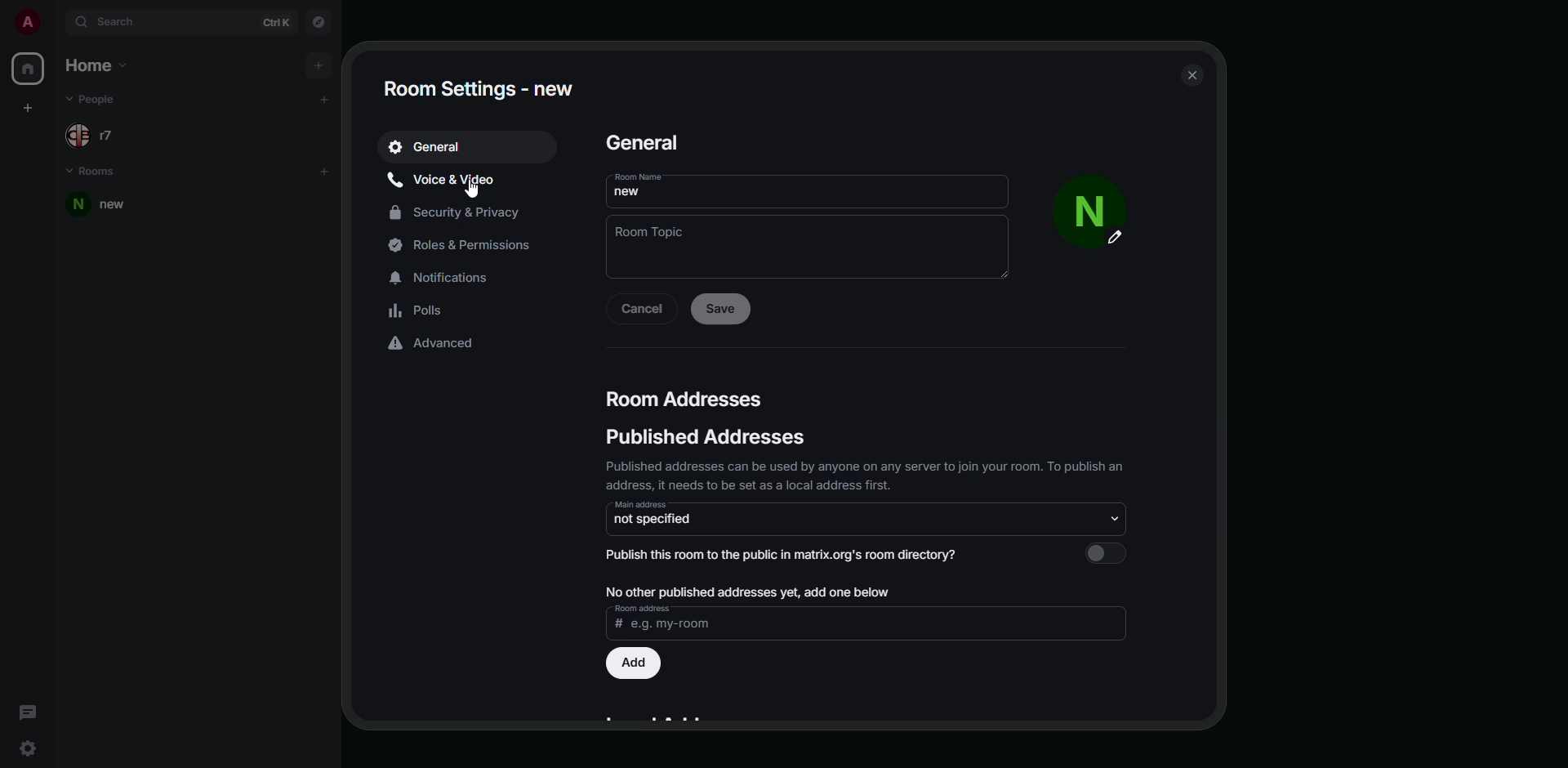 The height and width of the screenshot is (768, 1568). Describe the element at coordinates (276, 23) in the screenshot. I see `ctrl K` at that location.